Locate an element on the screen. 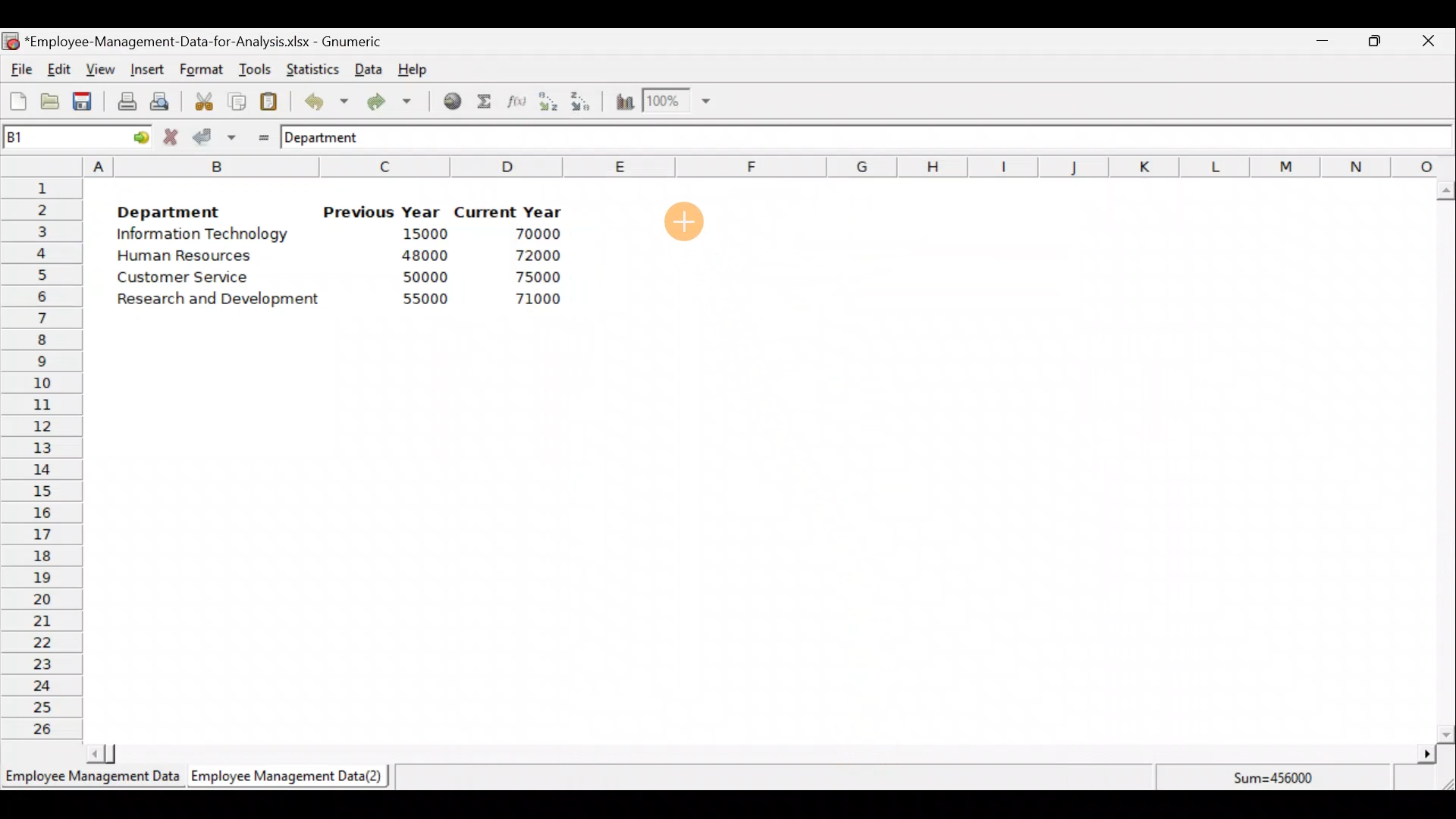 This screenshot has width=1456, height=819. Help is located at coordinates (422, 68).